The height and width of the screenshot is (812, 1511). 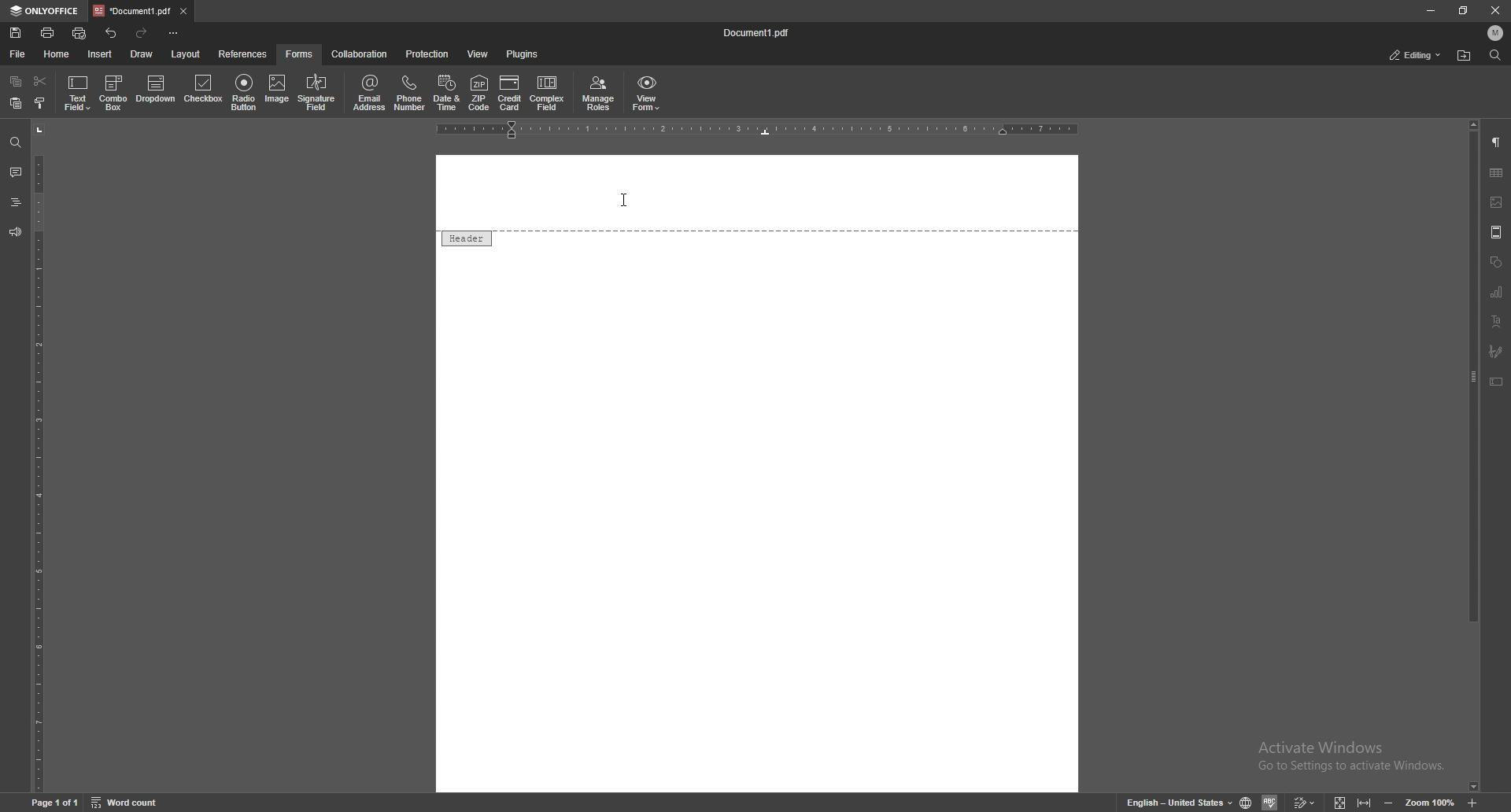 What do you see at coordinates (278, 91) in the screenshot?
I see `image` at bounding box center [278, 91].